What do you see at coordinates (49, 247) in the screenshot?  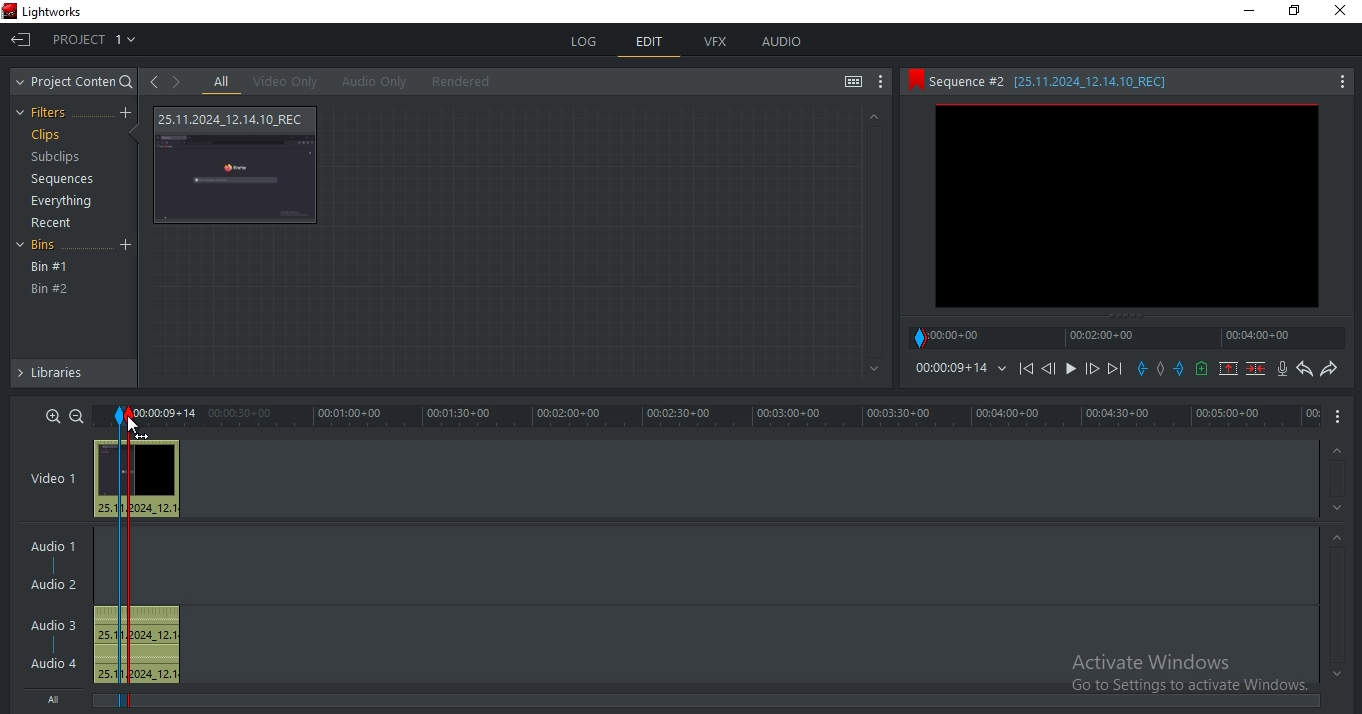 I see `bins` at bounding box center [49, 247].